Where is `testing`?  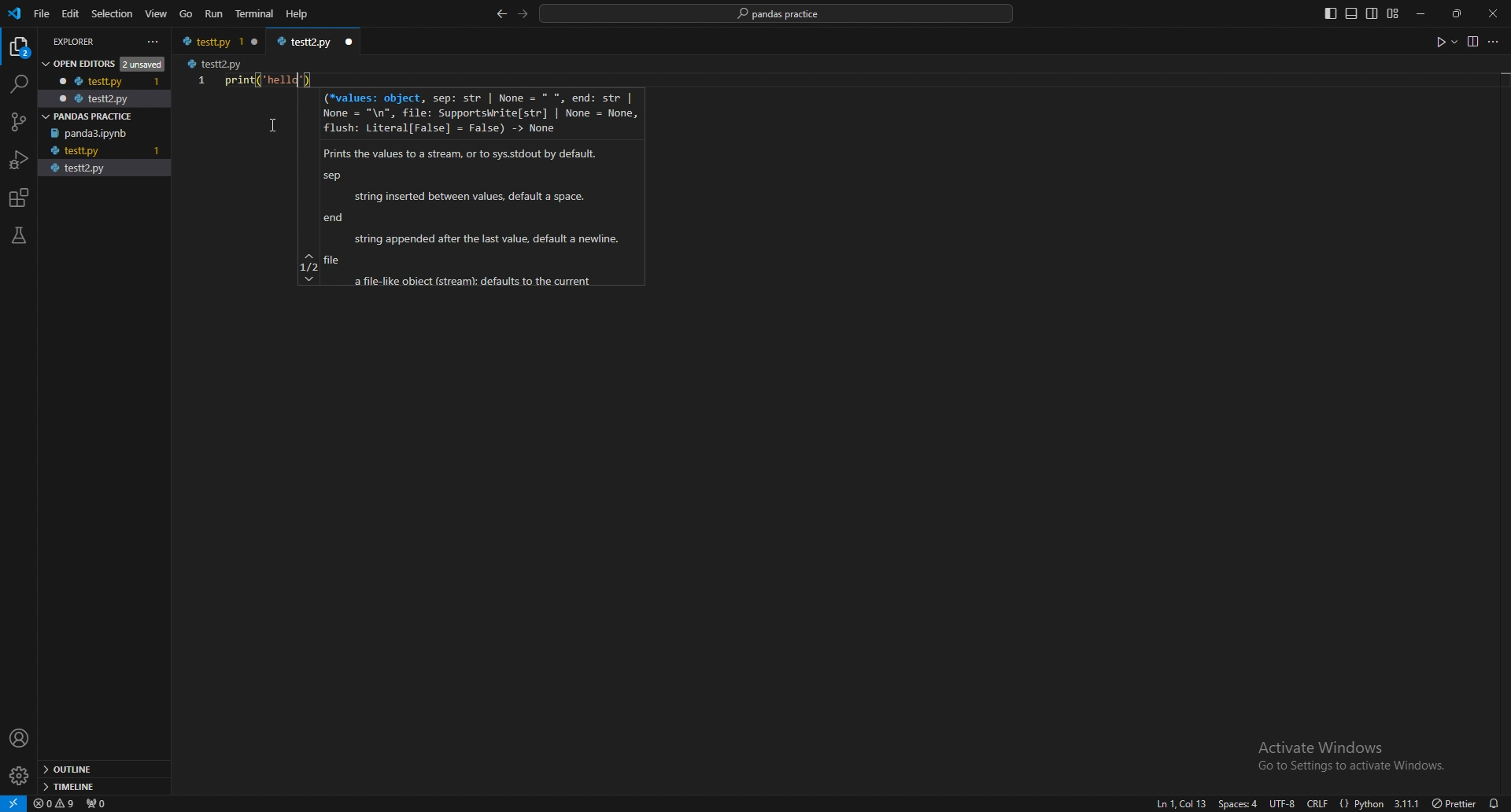
testing is located at coordinates (19, 235).